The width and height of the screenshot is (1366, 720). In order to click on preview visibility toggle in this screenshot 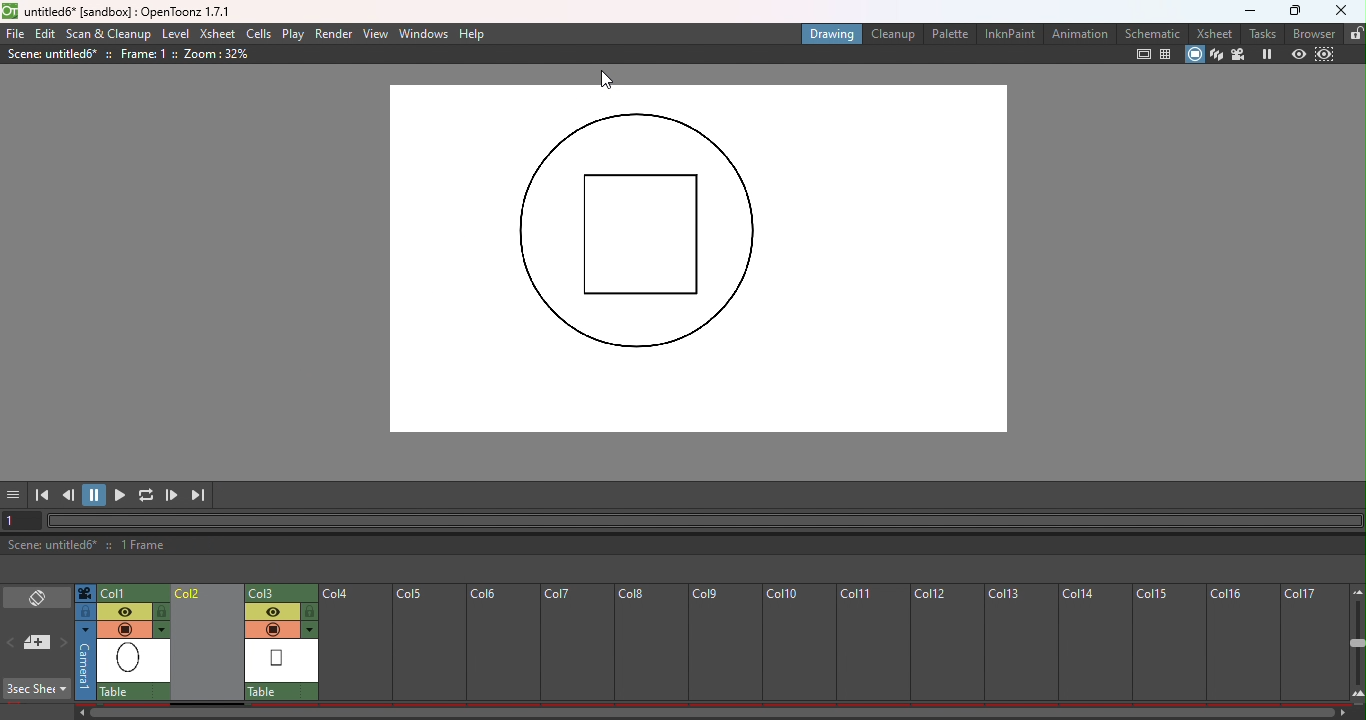, I will do `click(272, 611)`.